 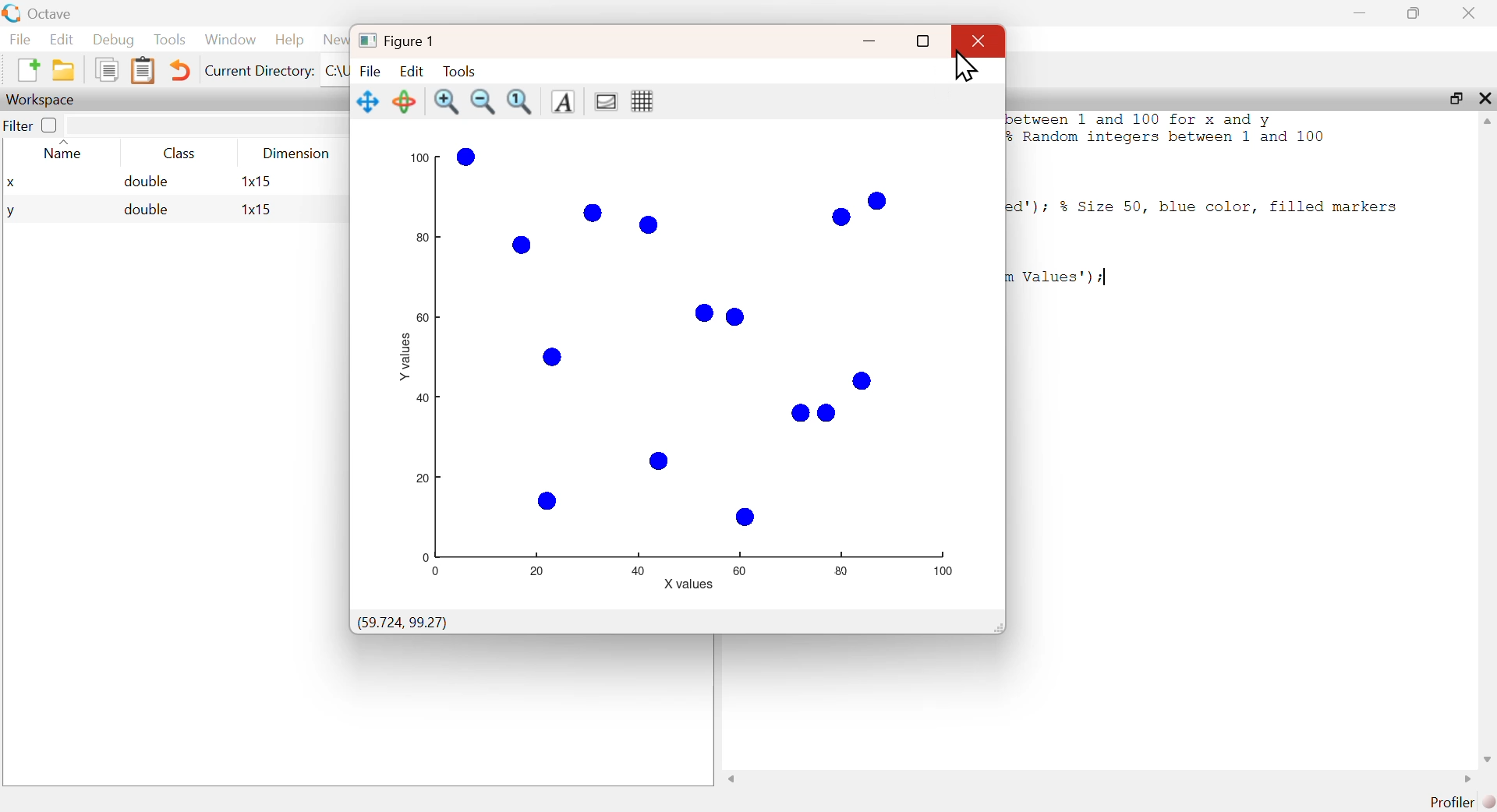 I want to click on X values, so click(x=691, y=584).